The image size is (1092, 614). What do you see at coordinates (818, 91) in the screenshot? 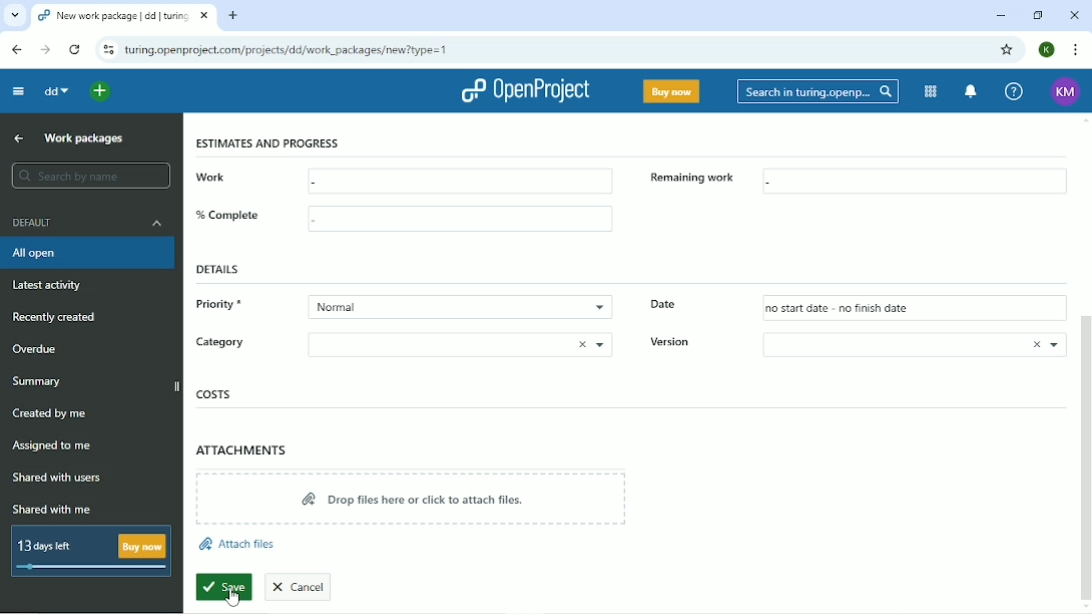
I see `Search in turing.openproject.com` at bounding box center [818, 91].